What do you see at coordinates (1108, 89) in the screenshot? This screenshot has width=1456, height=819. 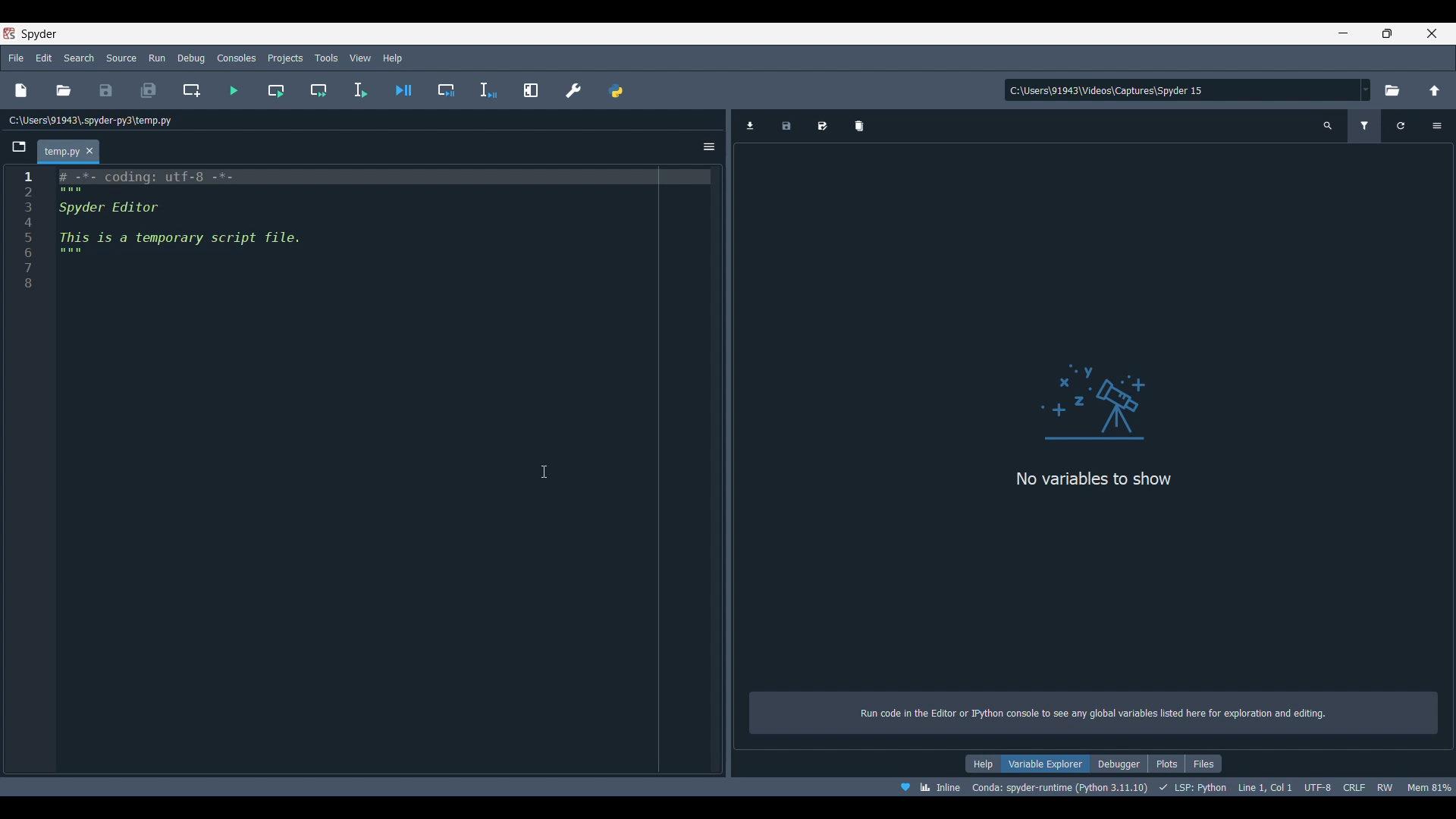 I see `Location of default directory changed` at bounding box center [1108, 89].